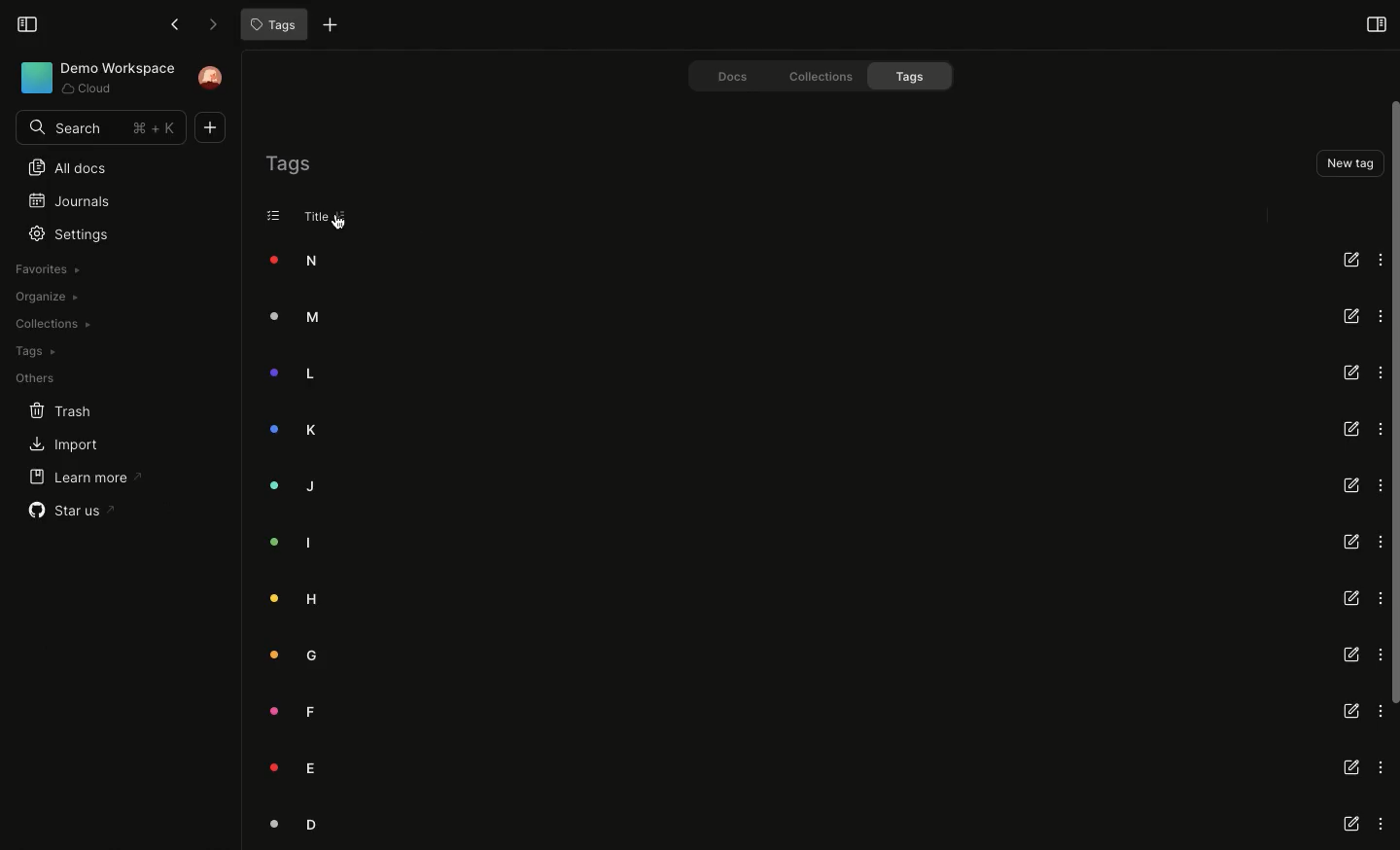 The image size is (1400, 850). Describe the element at coordinates (341, 216) in the screenshot. I see `Sort` at that location.